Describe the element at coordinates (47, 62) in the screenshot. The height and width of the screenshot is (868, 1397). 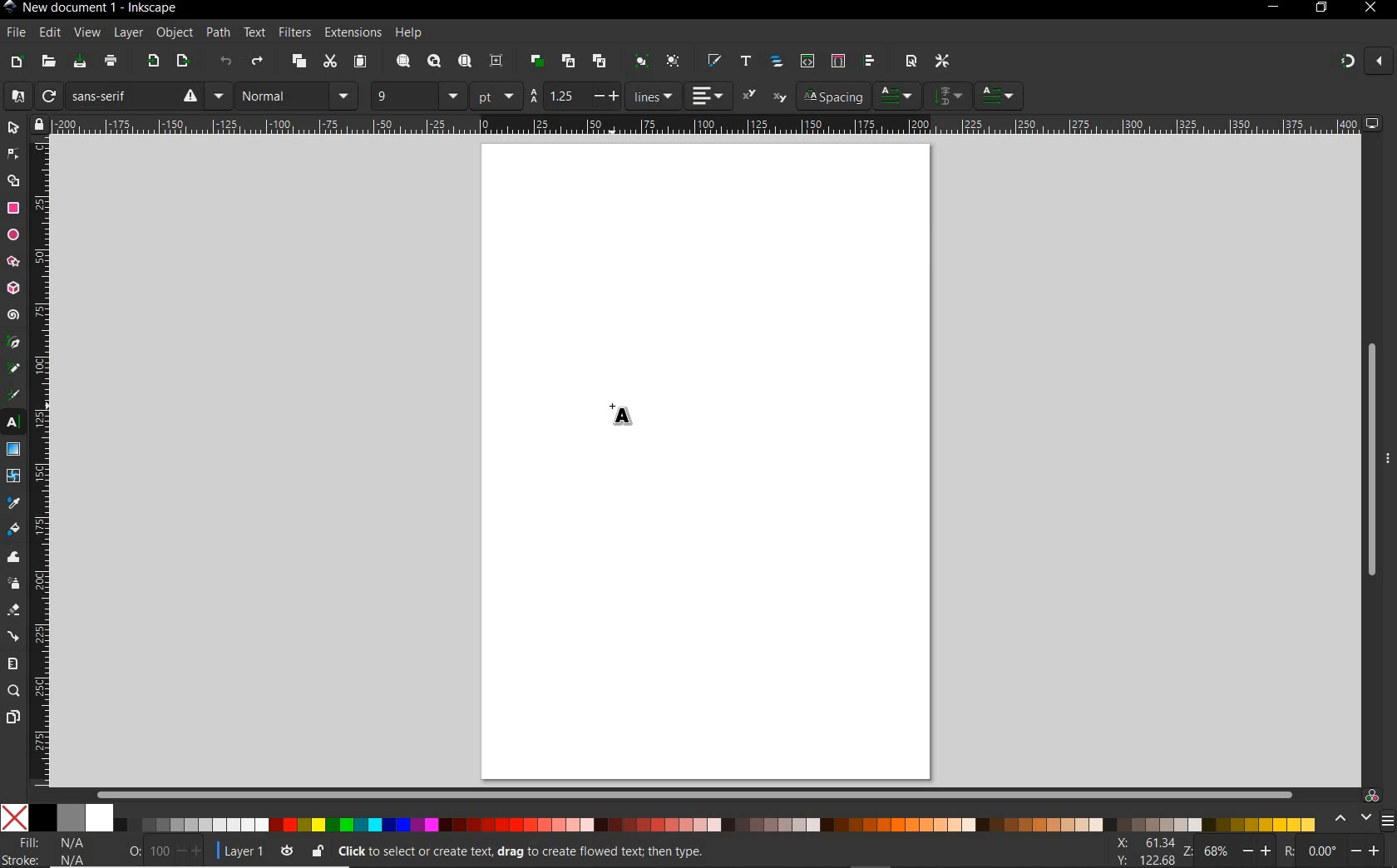
I see `open file dialog` at that location.